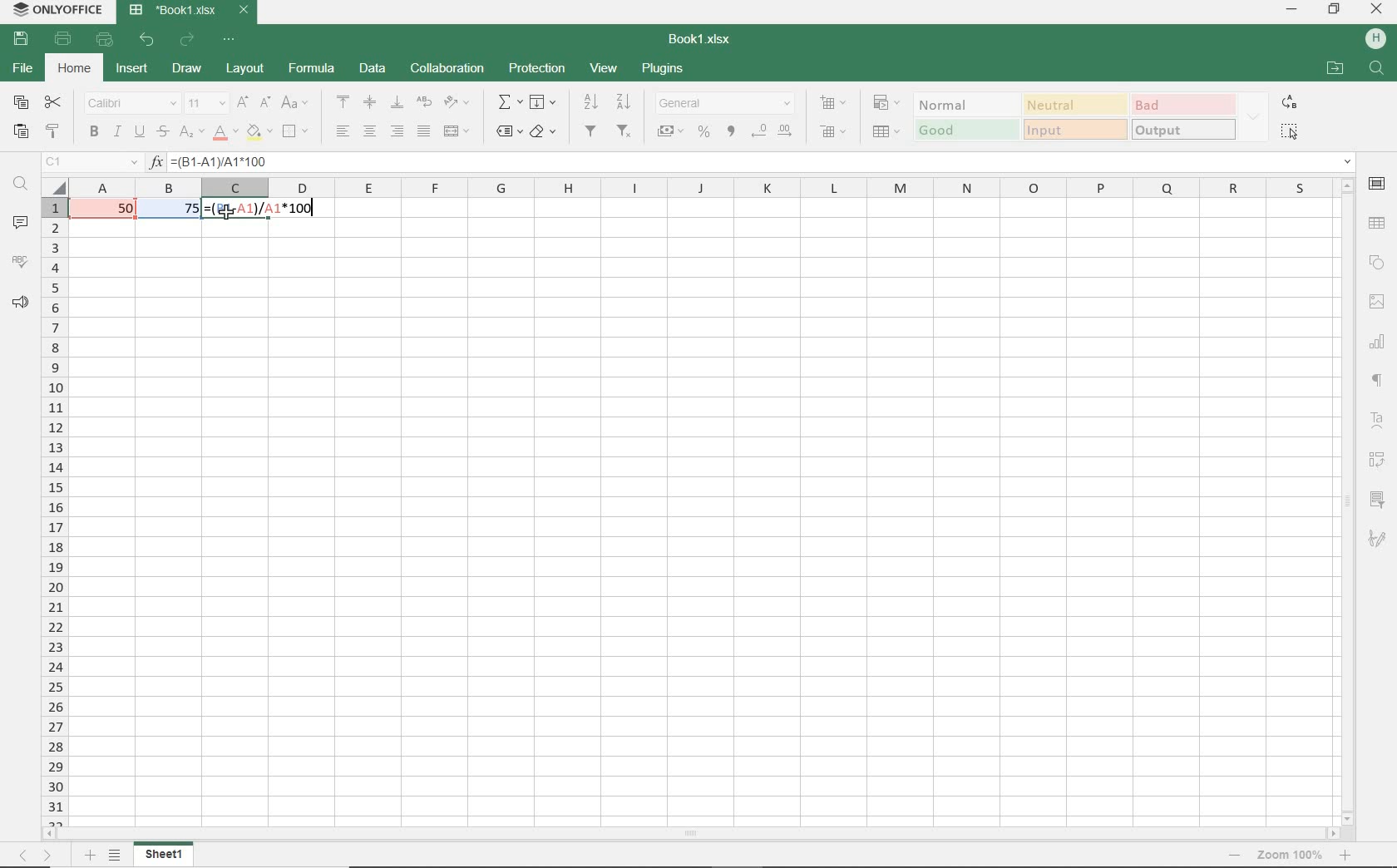 The height and width of the screenshot is (868, 1397). Describe the element at coordinates (54, 103) in the screenshot. I see `cut` at that location.